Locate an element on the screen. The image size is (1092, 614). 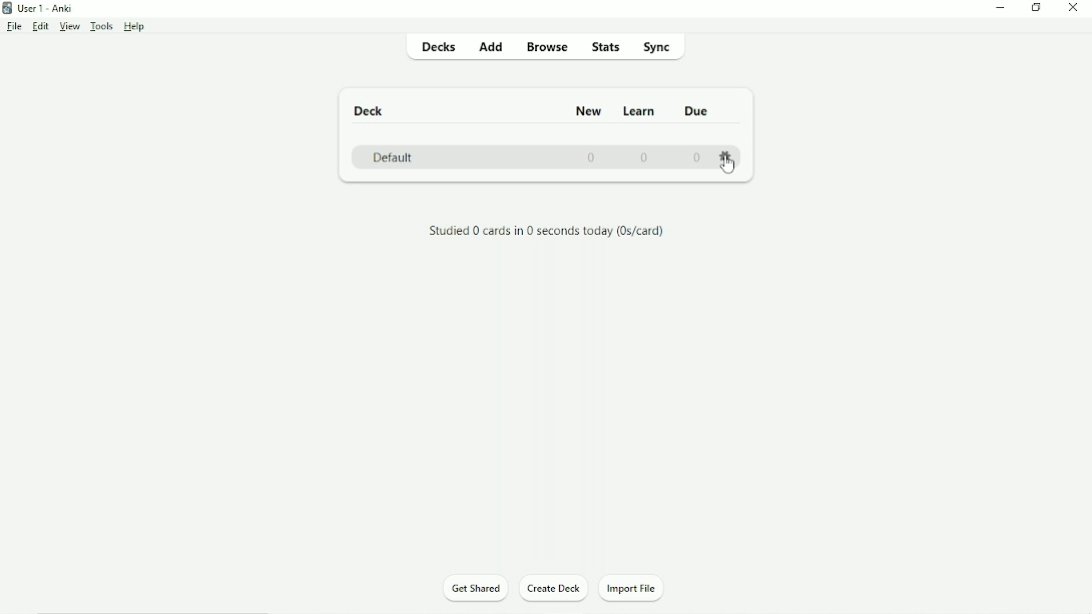
Edit is located at coordinates (40, 26).